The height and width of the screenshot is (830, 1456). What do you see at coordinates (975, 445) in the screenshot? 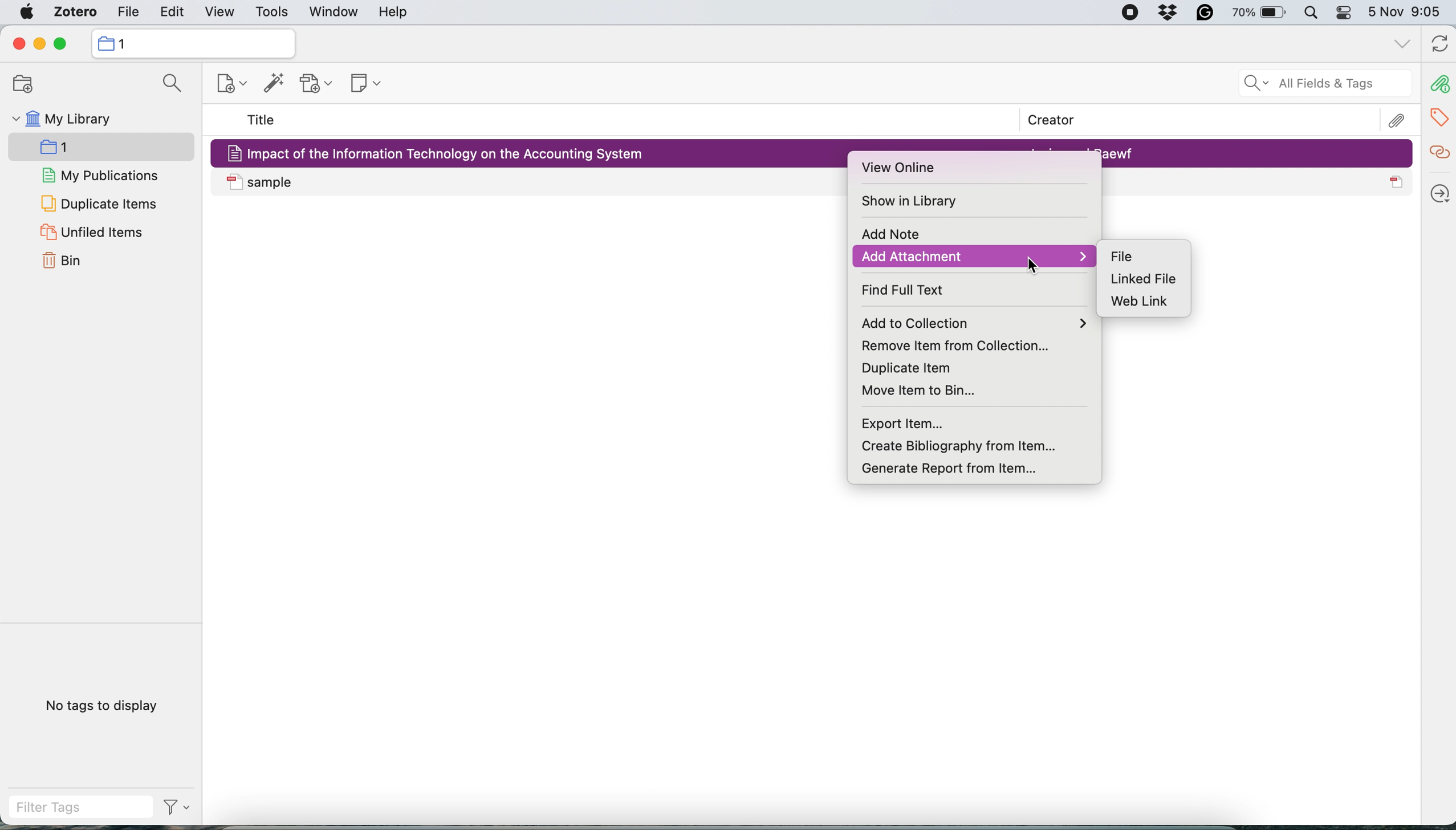
I see `create bibliography from item` at bounding box center [975, 445].